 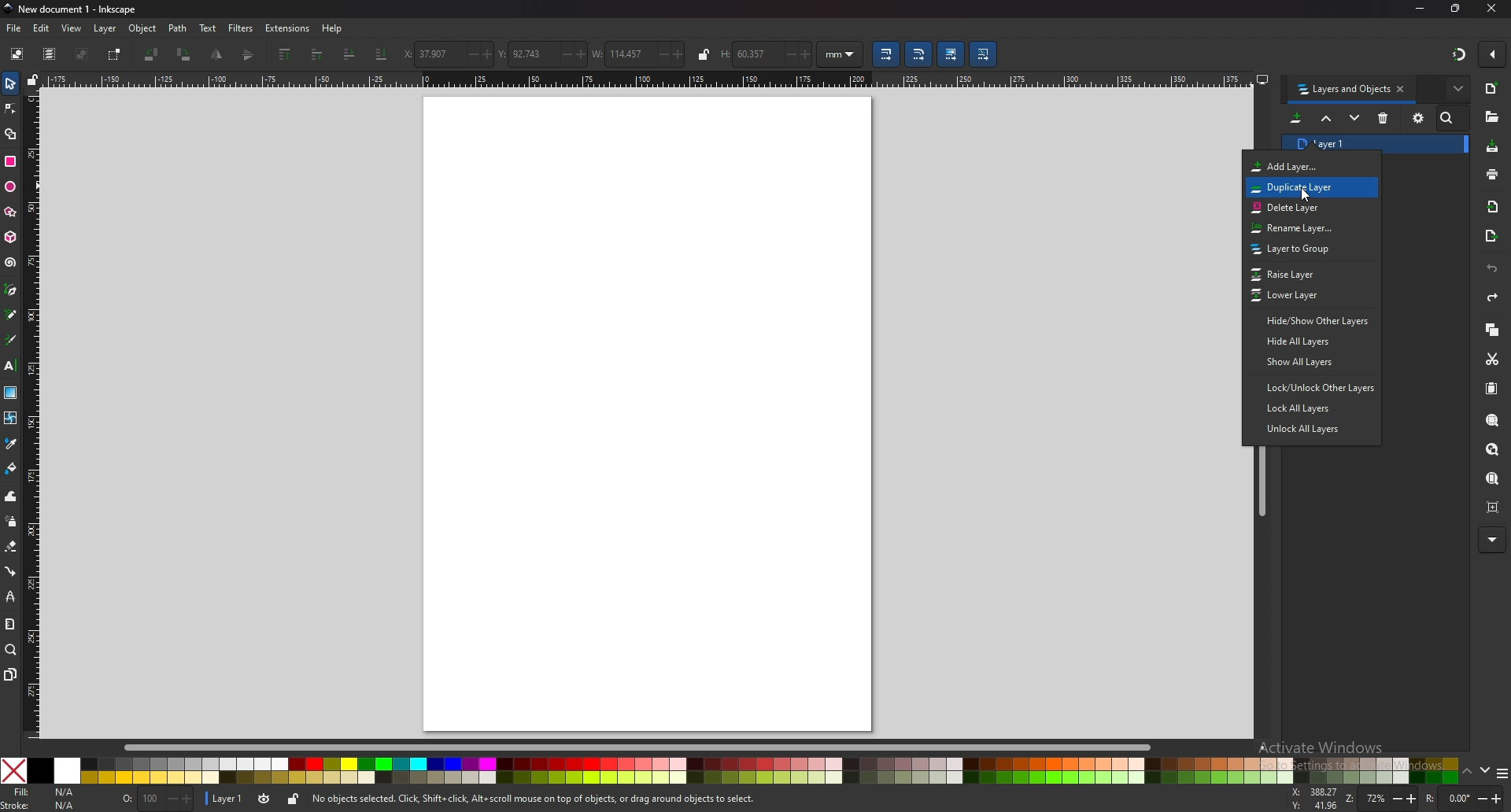 I want to click on title, so click(x=75, y=9).